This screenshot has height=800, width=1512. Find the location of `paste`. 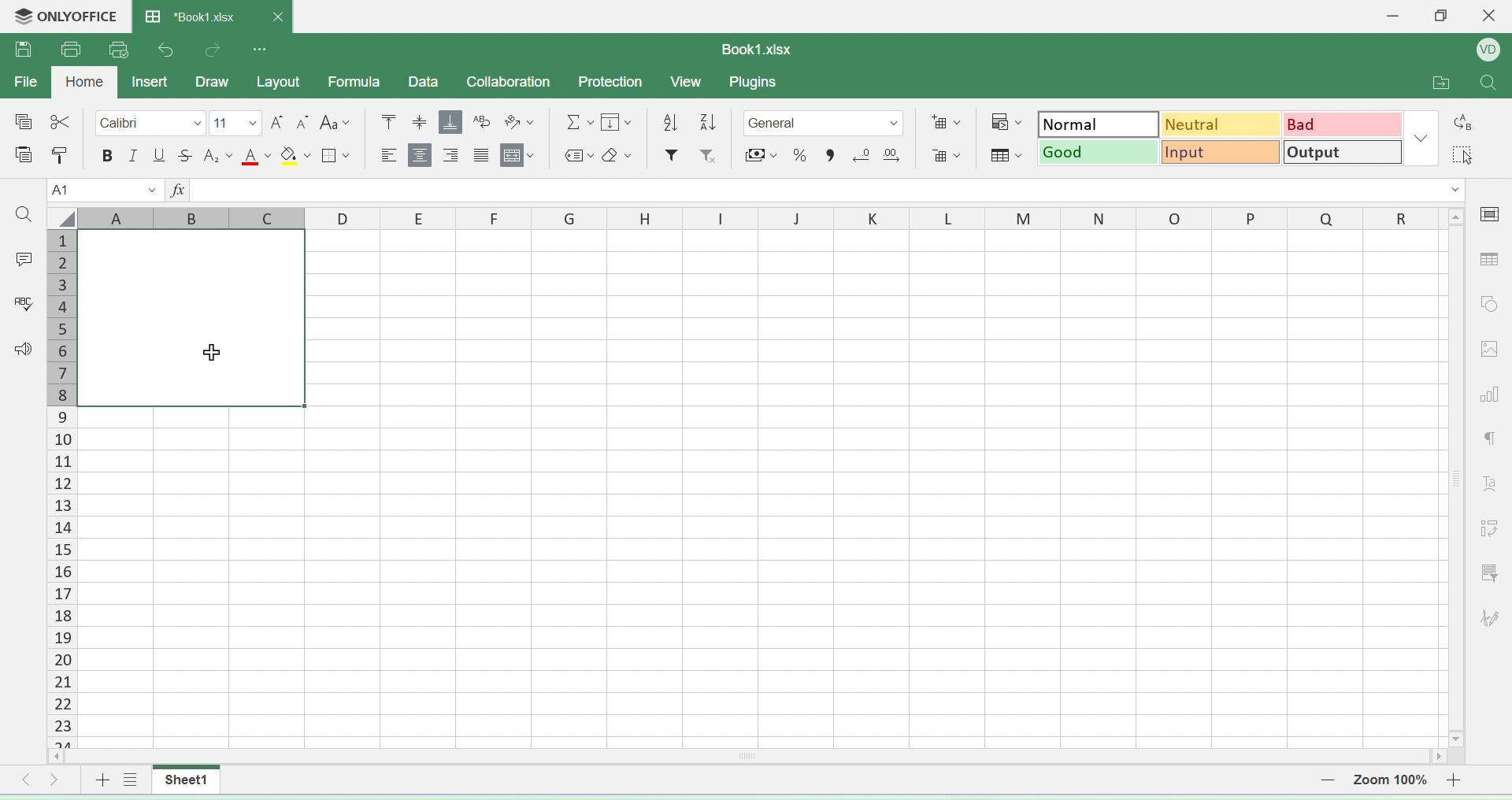

paste is located at coordinates (61, 158).